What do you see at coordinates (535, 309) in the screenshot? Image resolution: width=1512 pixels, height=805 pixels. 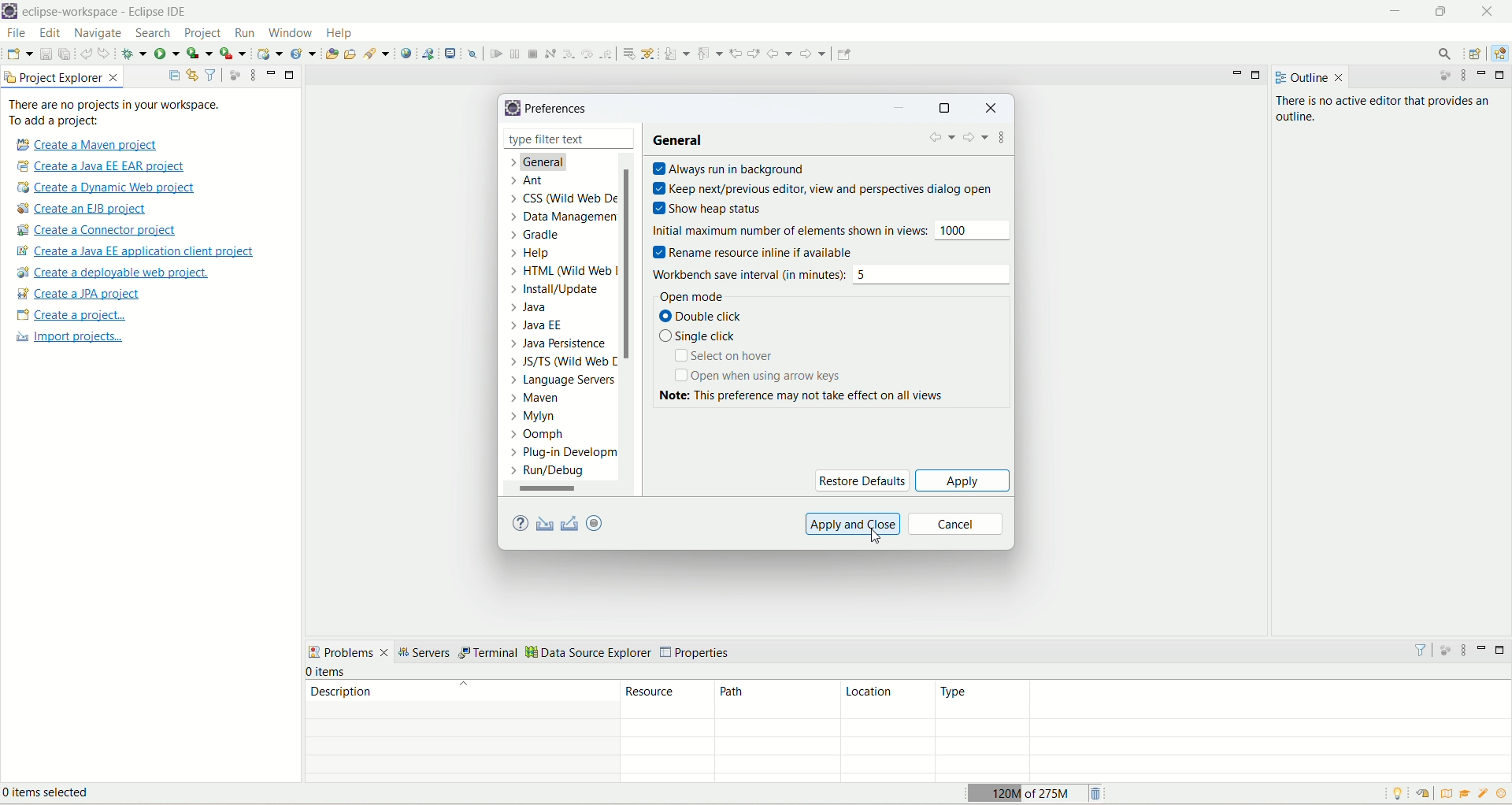 I see `Java` at bounding box center [535, 309].